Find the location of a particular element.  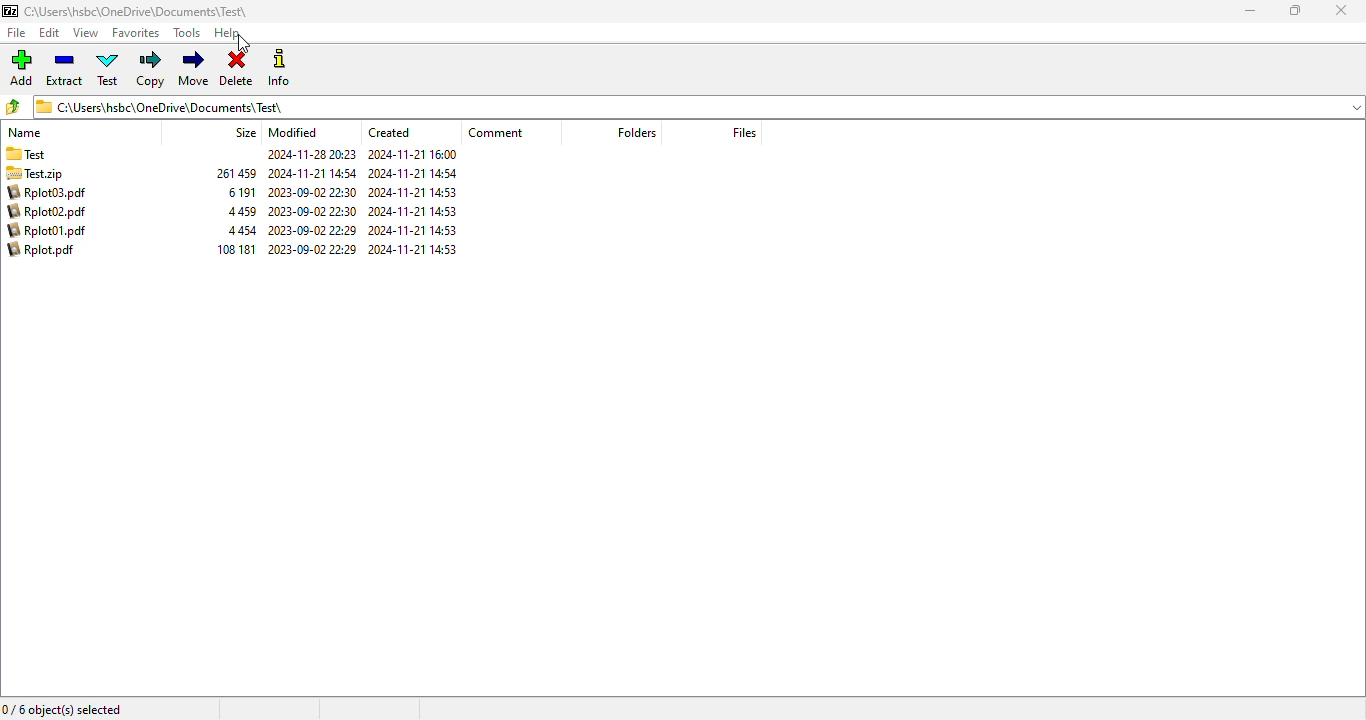

2023-09-02 22:29 is located at coordinates (312, 231).